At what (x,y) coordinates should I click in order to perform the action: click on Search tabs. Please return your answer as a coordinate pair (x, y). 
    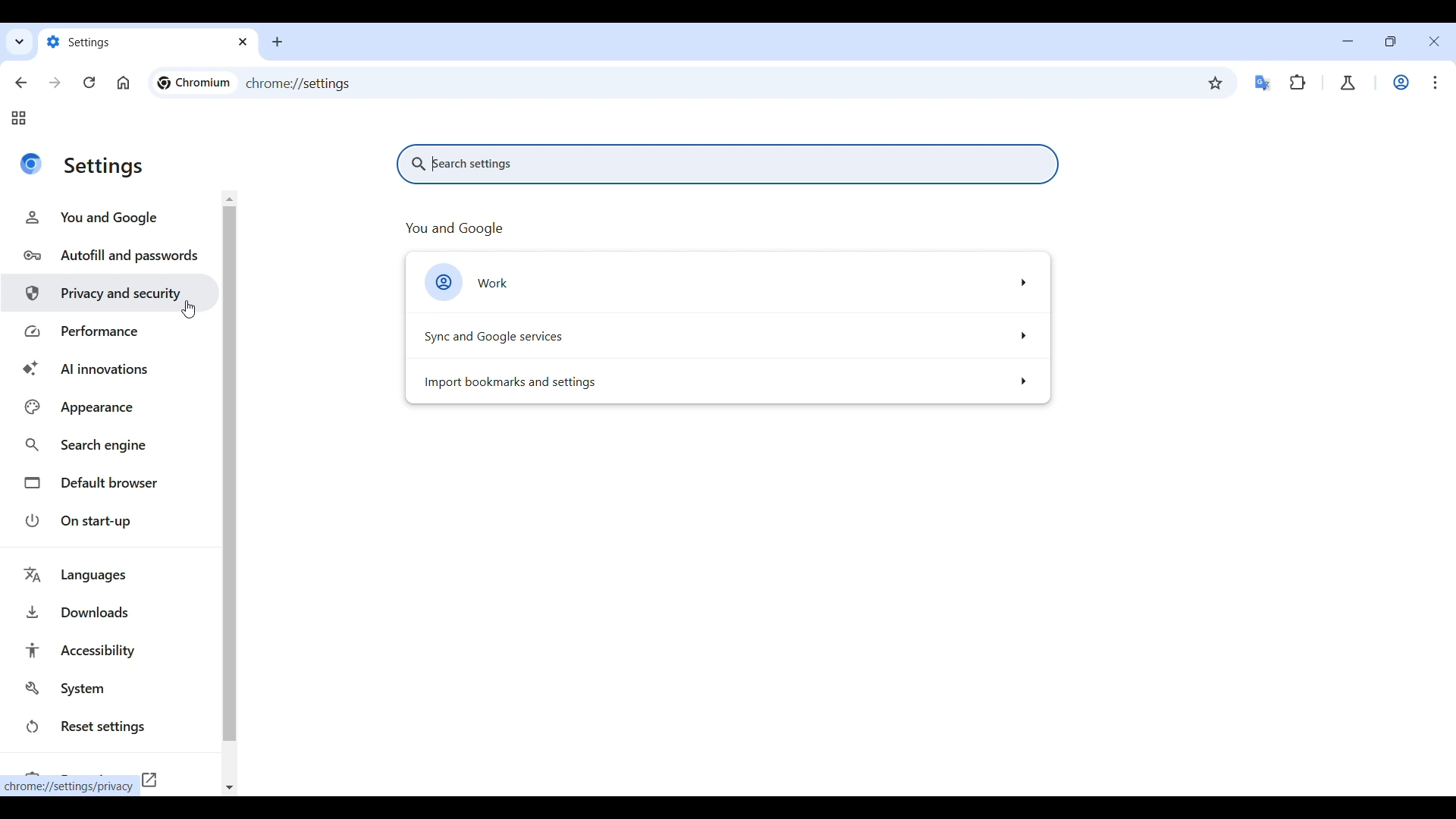
    Looking at the image, I should click on (20, 42).